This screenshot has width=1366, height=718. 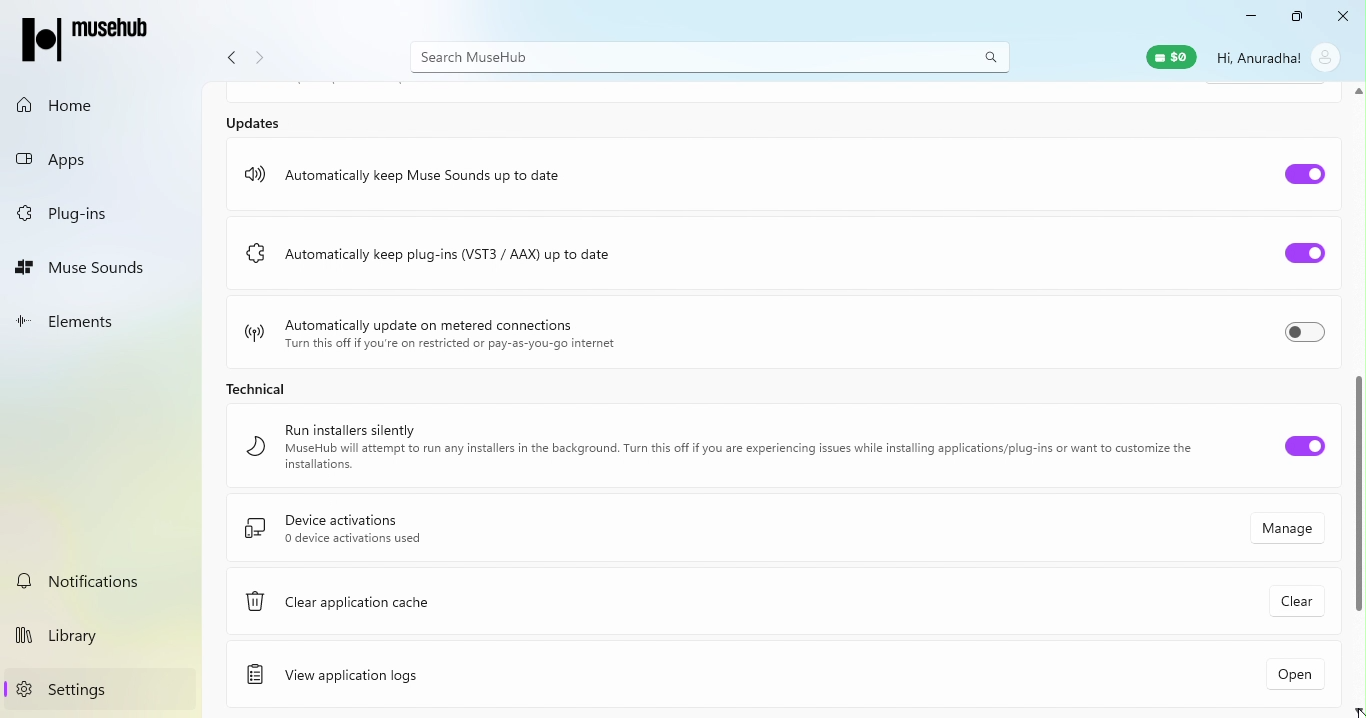 I want to click on Toggle, so click(x=1295, y=248).